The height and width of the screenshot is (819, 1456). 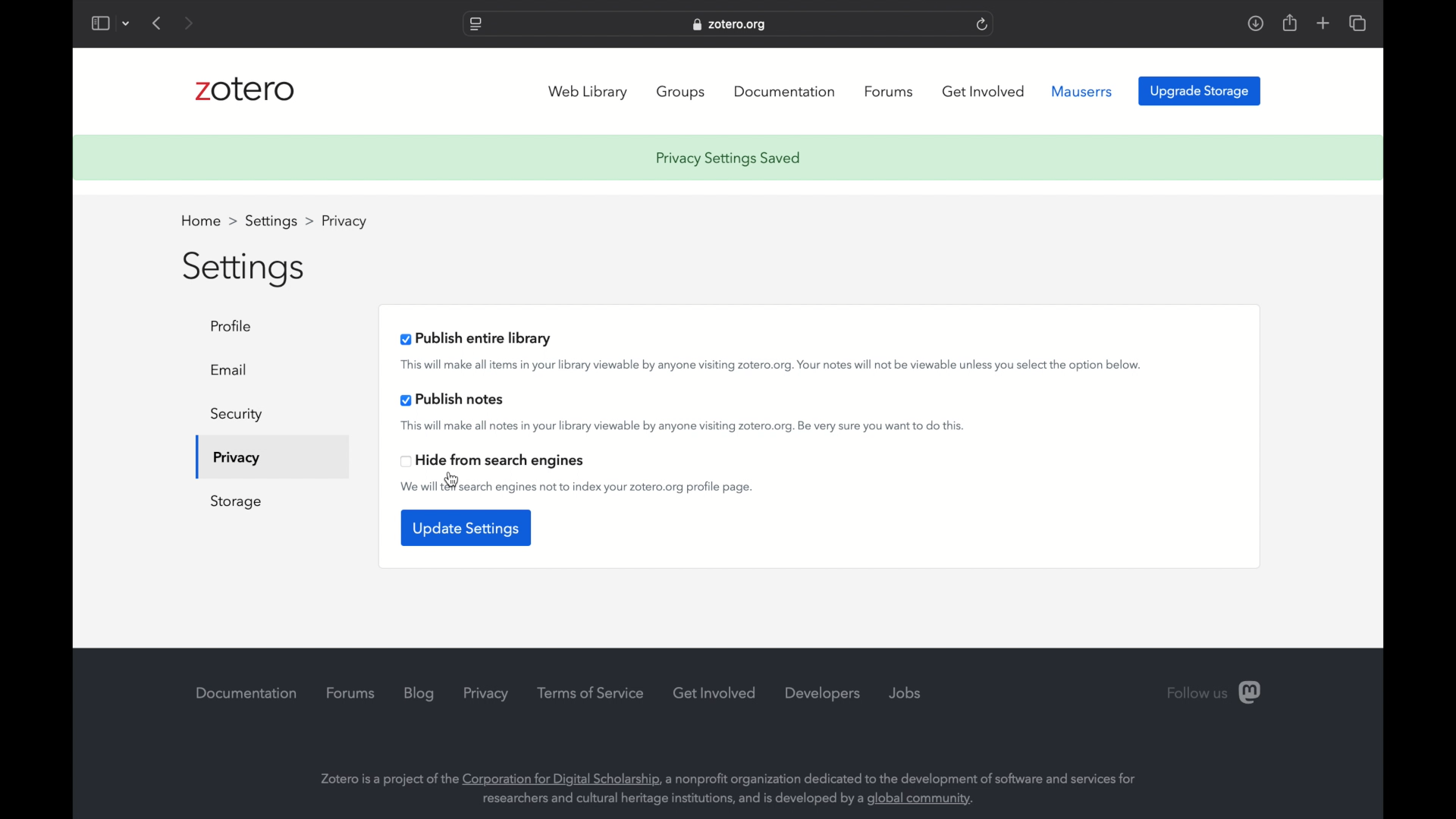 I want to click on settings, so click(x=245, y=271).